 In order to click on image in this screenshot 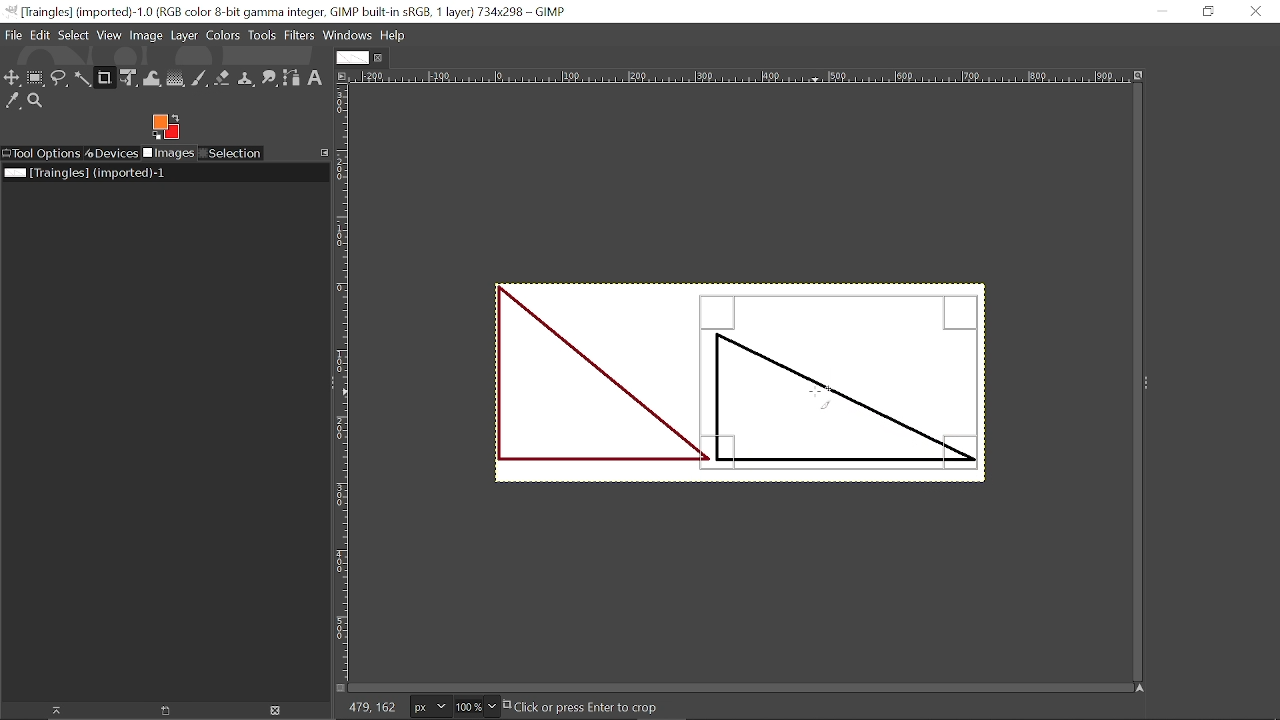, I will do `click(570, 385)`.